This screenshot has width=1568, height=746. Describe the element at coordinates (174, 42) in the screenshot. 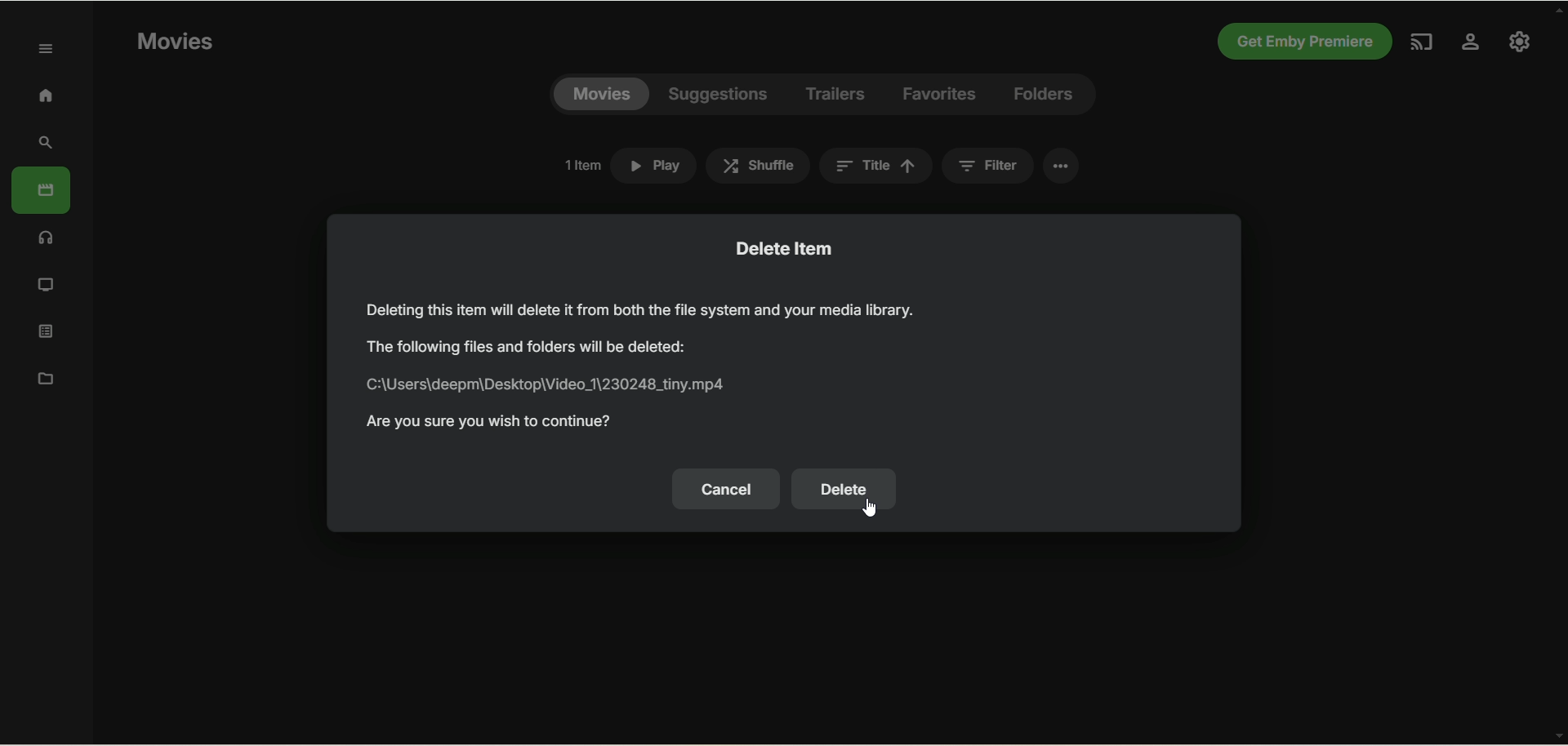

I see `movies` at that location.